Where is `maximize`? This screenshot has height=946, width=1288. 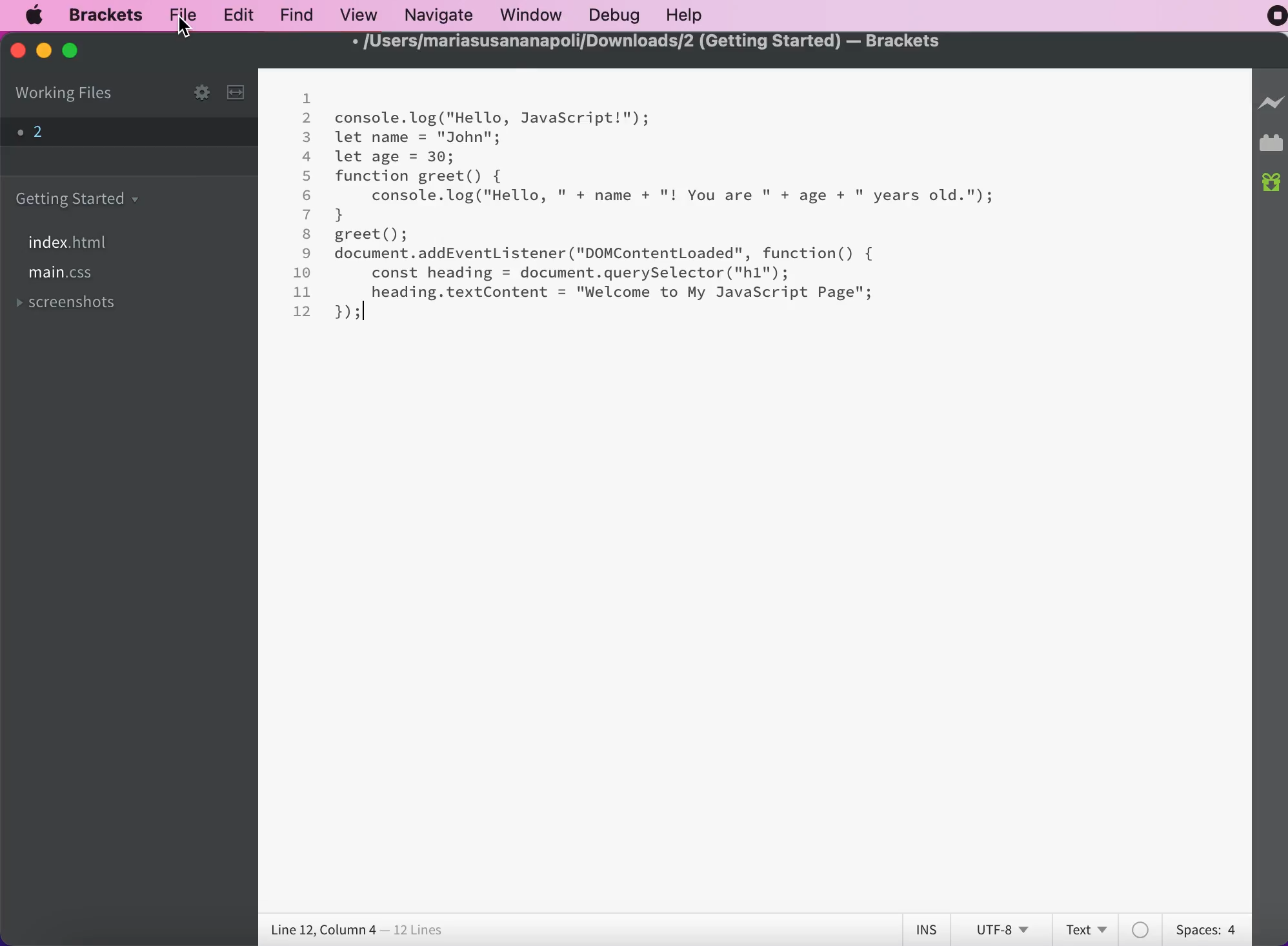
maximize is located at coordinates (79, 52).